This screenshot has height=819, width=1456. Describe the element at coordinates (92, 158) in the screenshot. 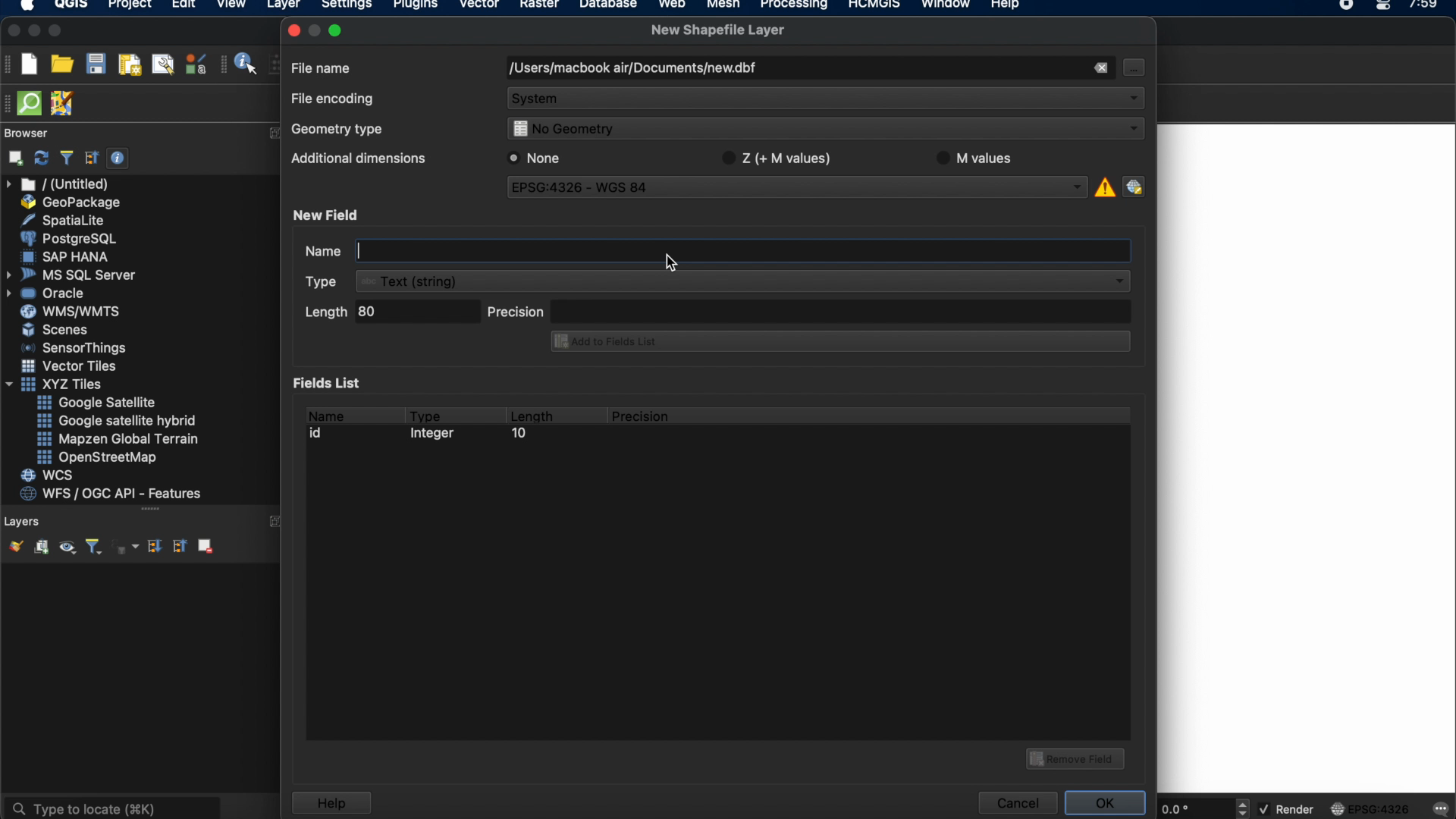

I see `collapse all` at that location.